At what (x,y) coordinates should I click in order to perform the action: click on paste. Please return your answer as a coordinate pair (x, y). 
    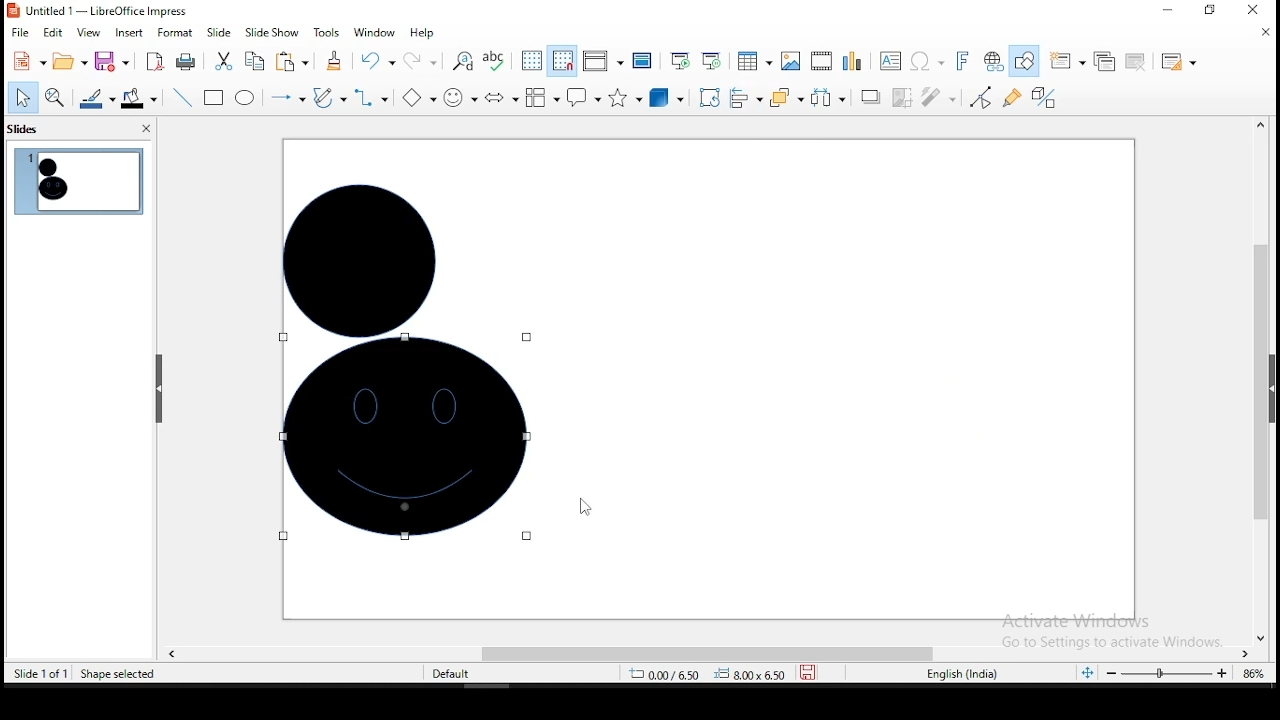
    Looking at the image, I should click on (292, 63).